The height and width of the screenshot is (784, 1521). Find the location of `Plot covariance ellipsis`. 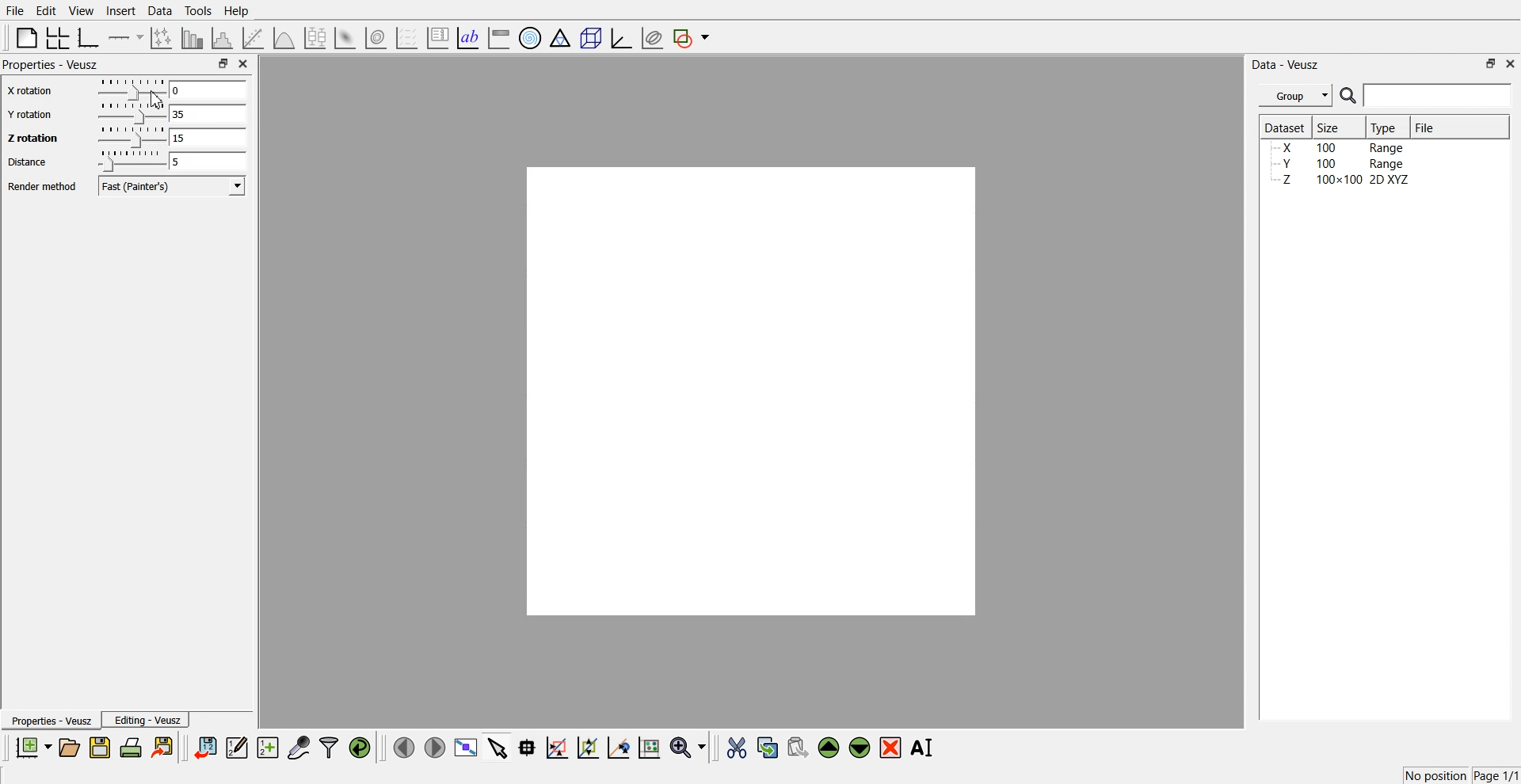

Plot covariance ellipsis is located at coordinates (653, 39).